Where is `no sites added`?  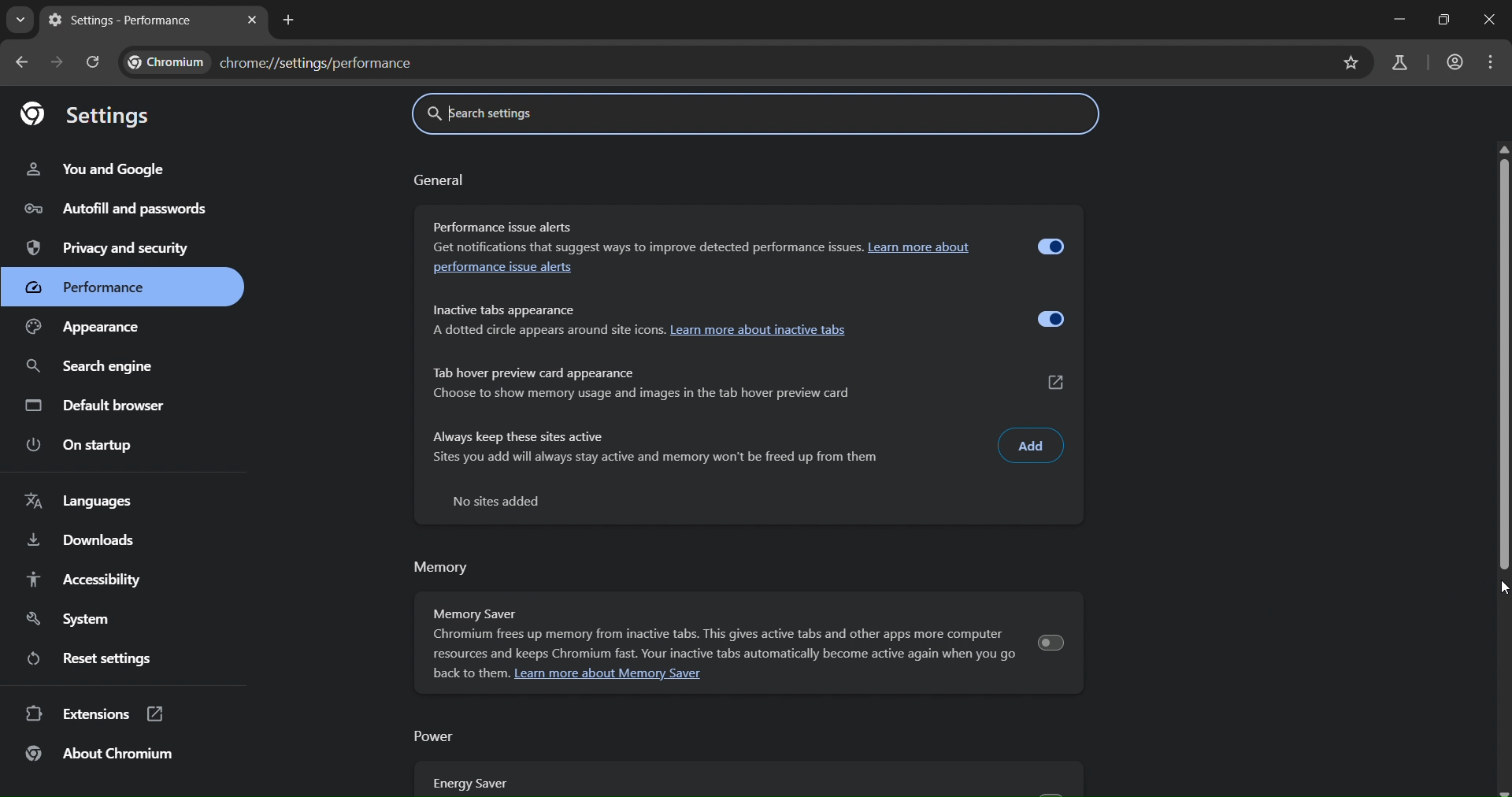 no sites added is located at coordinates (499, 503).